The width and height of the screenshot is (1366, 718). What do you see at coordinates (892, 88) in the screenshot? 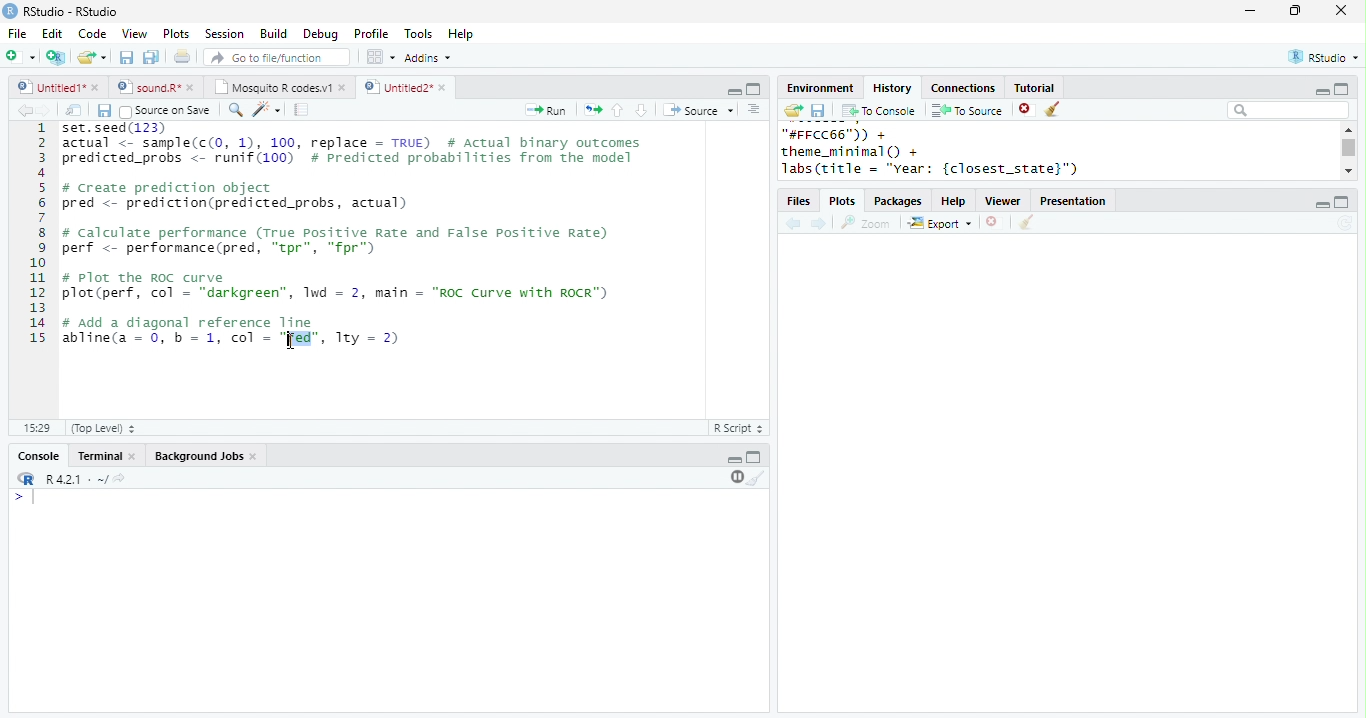
I see `History` at bounding box center [892, 88].